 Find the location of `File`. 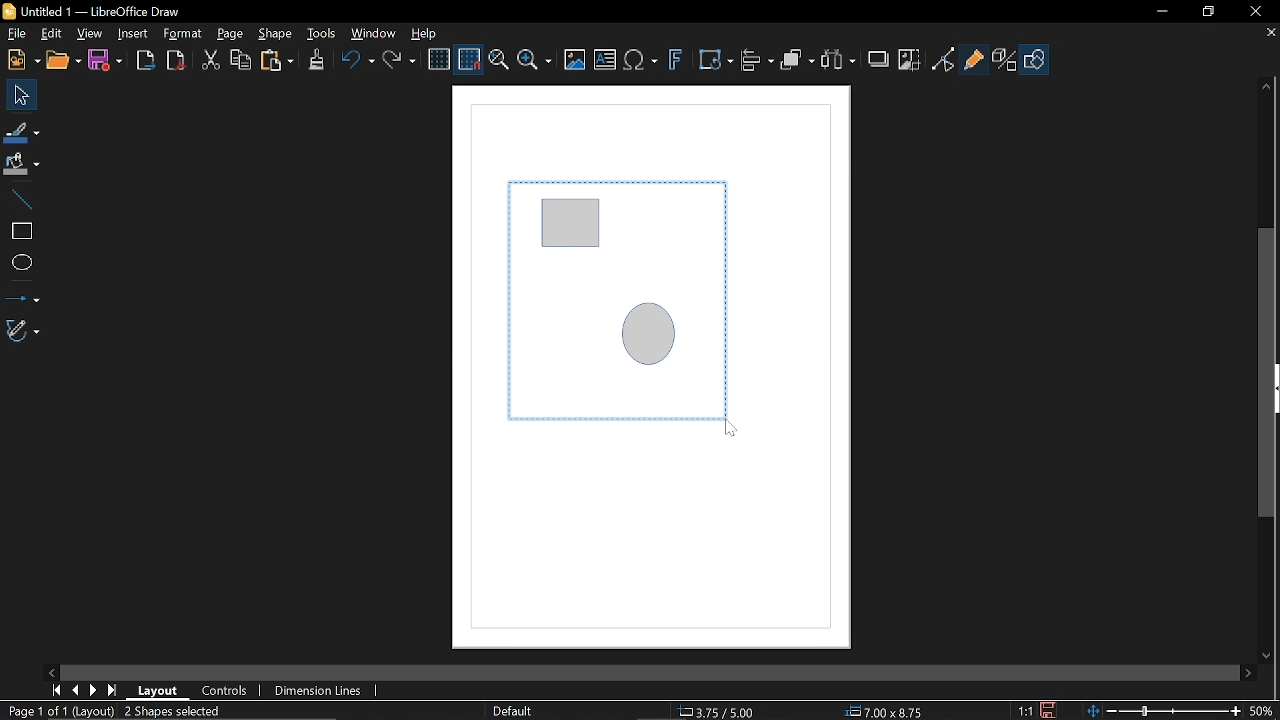

File is located at coordinates (18, 33).